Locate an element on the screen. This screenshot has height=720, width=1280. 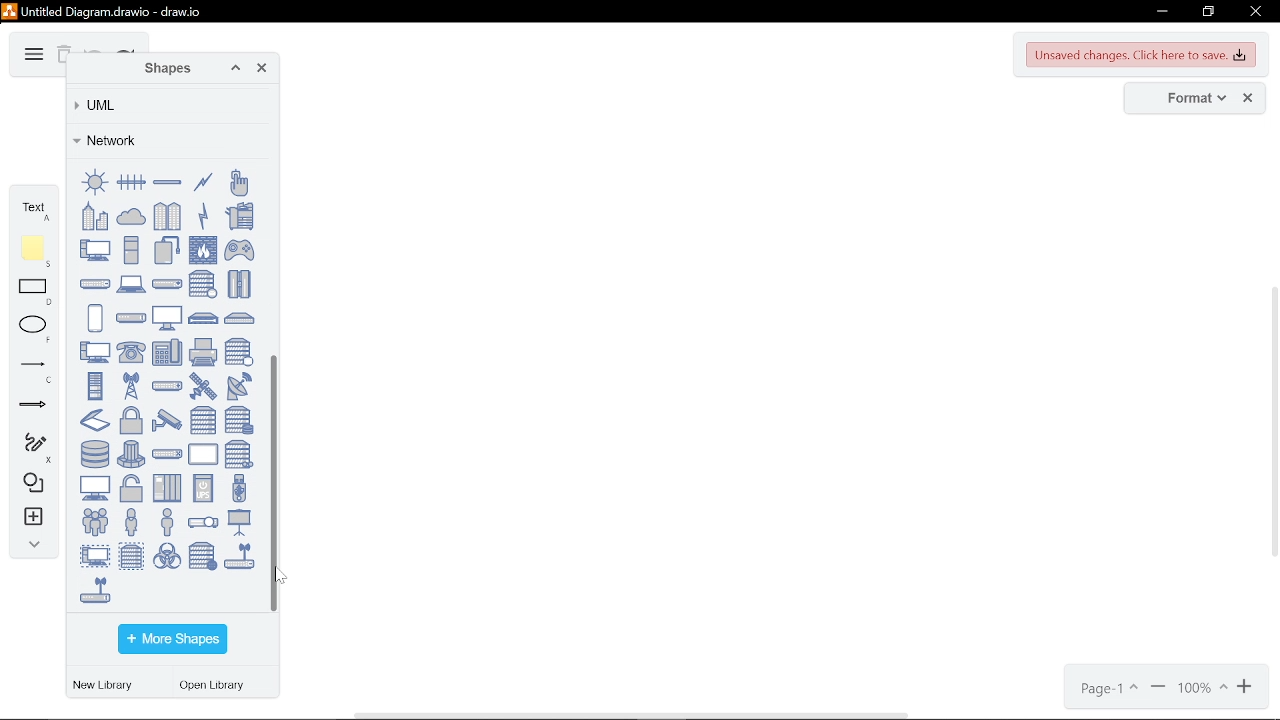
close is located at coordinates (1254, 13).